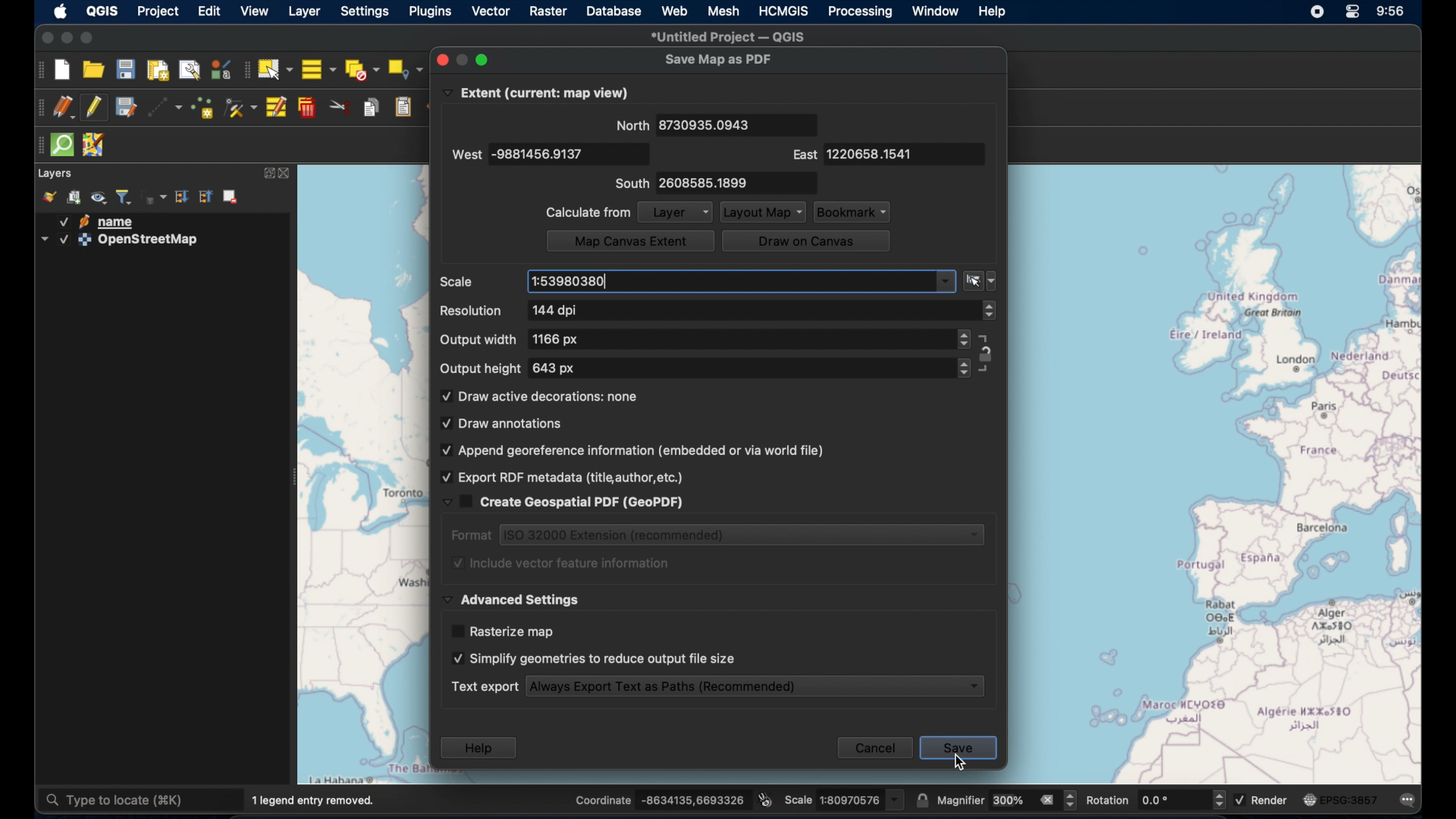 This screenshot has width=1456, height=819. What do you see at coordinates (441, 61) in the screenshot?
I see `close` at bounding box center [441, 61].